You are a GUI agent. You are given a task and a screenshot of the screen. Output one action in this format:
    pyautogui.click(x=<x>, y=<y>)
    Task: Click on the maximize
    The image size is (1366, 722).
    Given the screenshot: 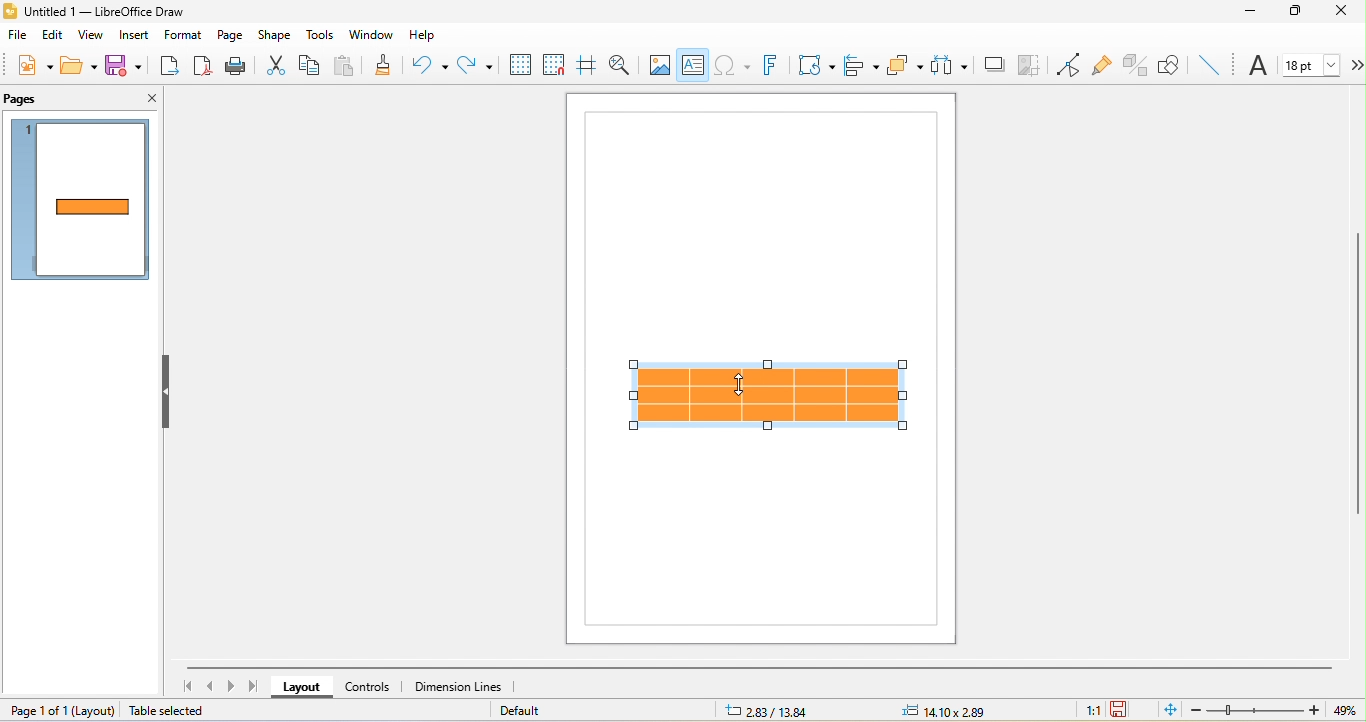 What is the action you would take?
    pyautogui.click(x=1301, y=15)
    